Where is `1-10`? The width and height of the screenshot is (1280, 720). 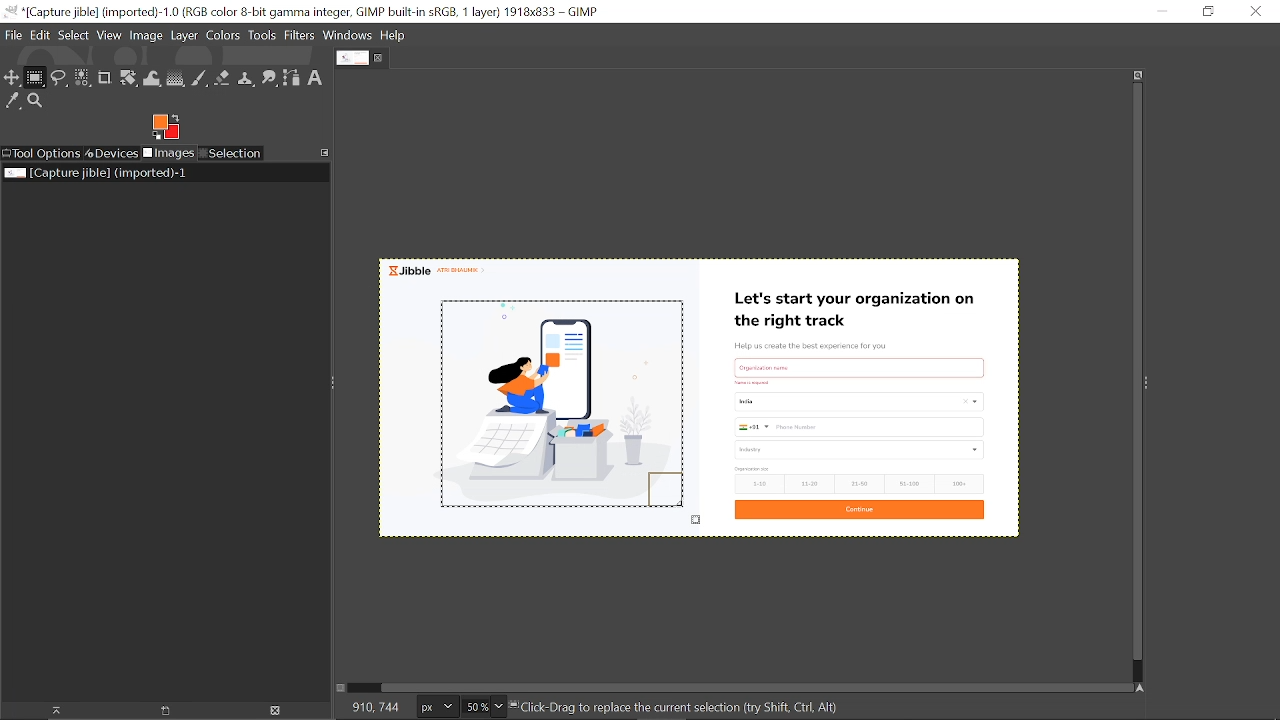 1-10 is located at coordinates (756, 484).